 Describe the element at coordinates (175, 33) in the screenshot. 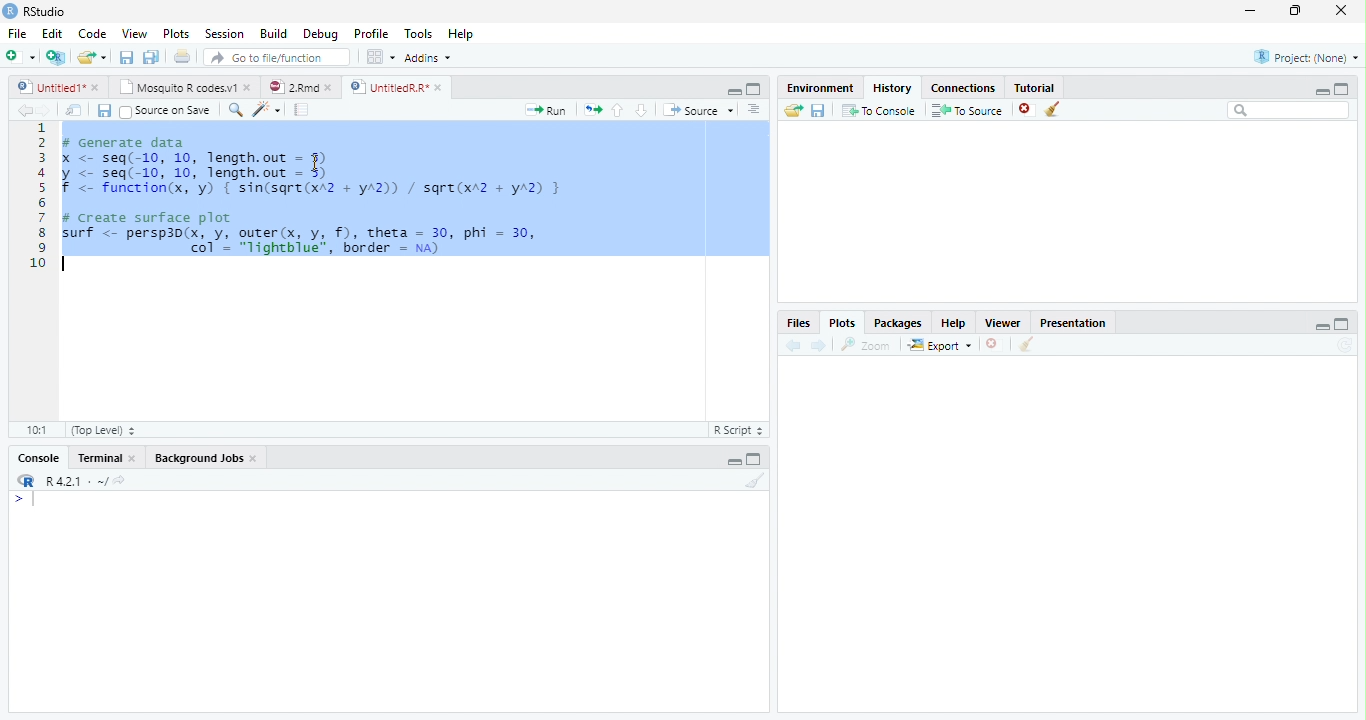

I see `Plots` at that location.